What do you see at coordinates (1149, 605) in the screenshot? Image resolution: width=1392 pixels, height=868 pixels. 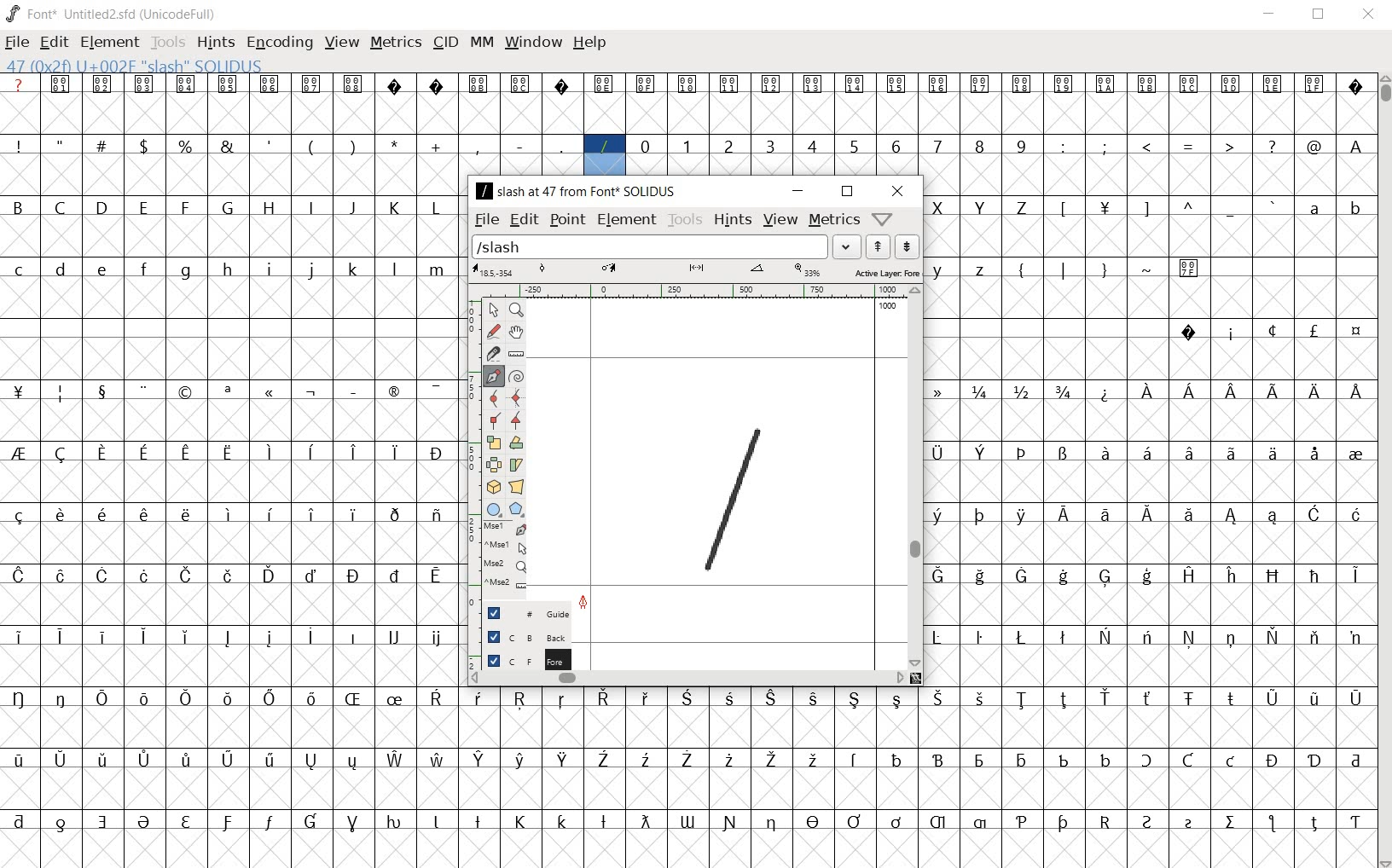 I see `empty cells` at bounding box center [1149, 605].